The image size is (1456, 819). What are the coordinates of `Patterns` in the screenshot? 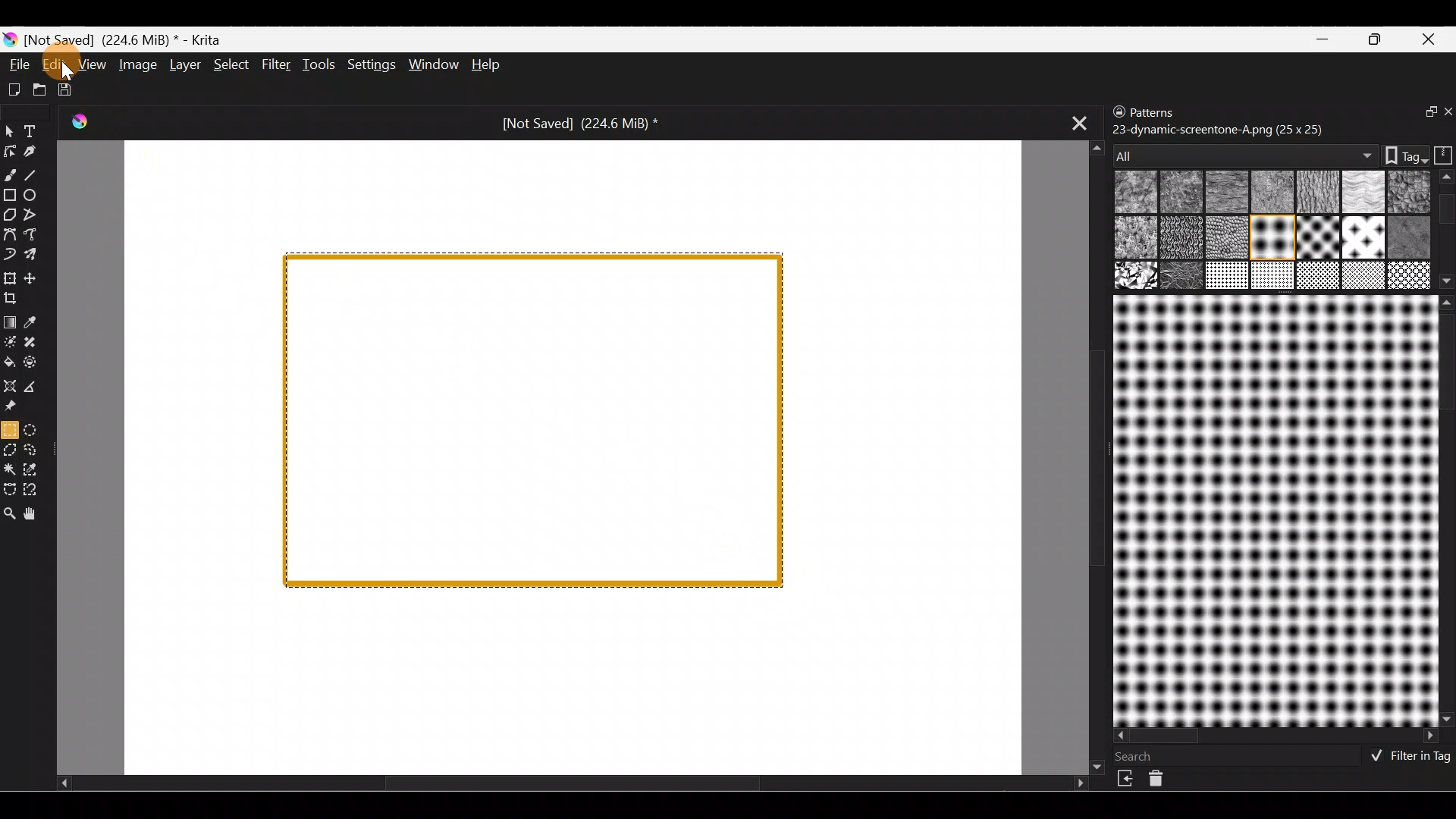 It's located at (1164, 109).